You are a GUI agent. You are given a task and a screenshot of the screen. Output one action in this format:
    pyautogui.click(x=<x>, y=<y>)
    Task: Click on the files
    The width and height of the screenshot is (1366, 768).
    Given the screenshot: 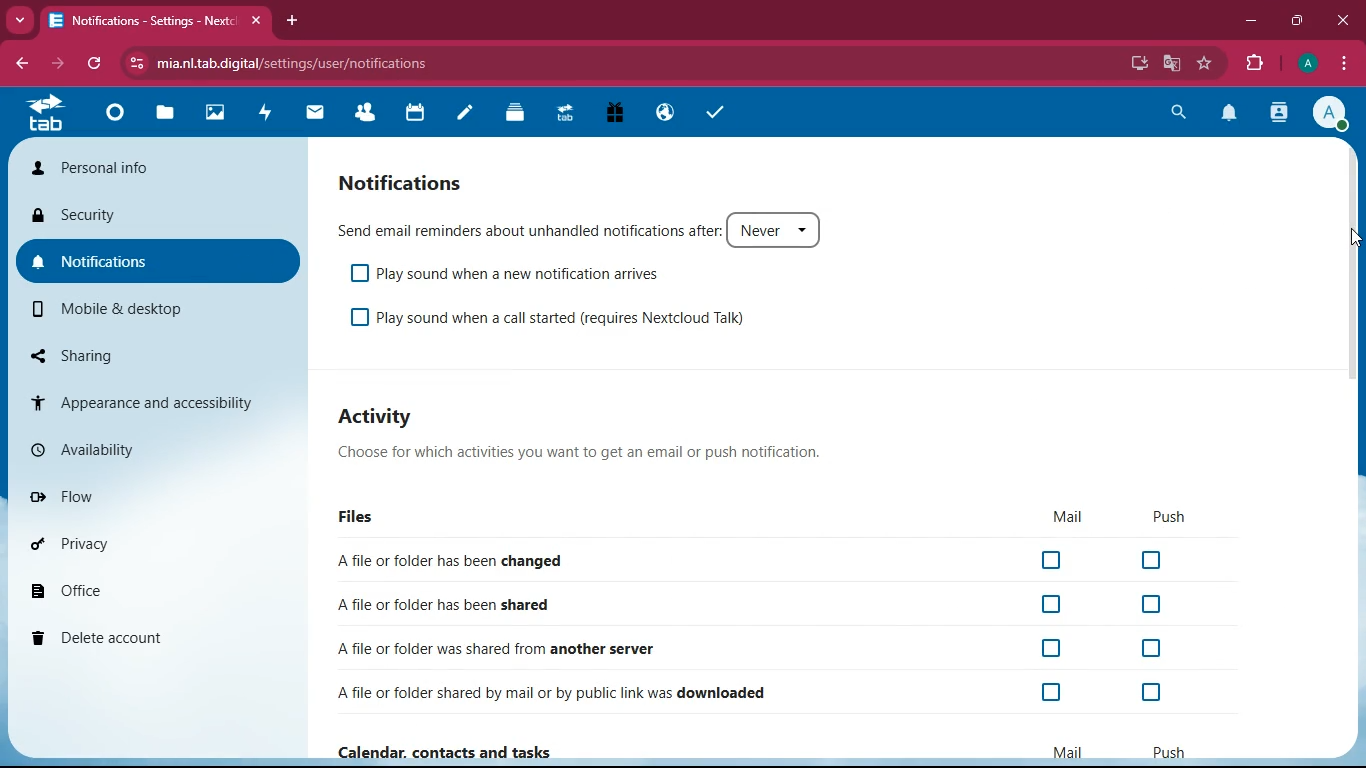 What is the action you would take?
    pyautogui.click(x=362, y=521)
    